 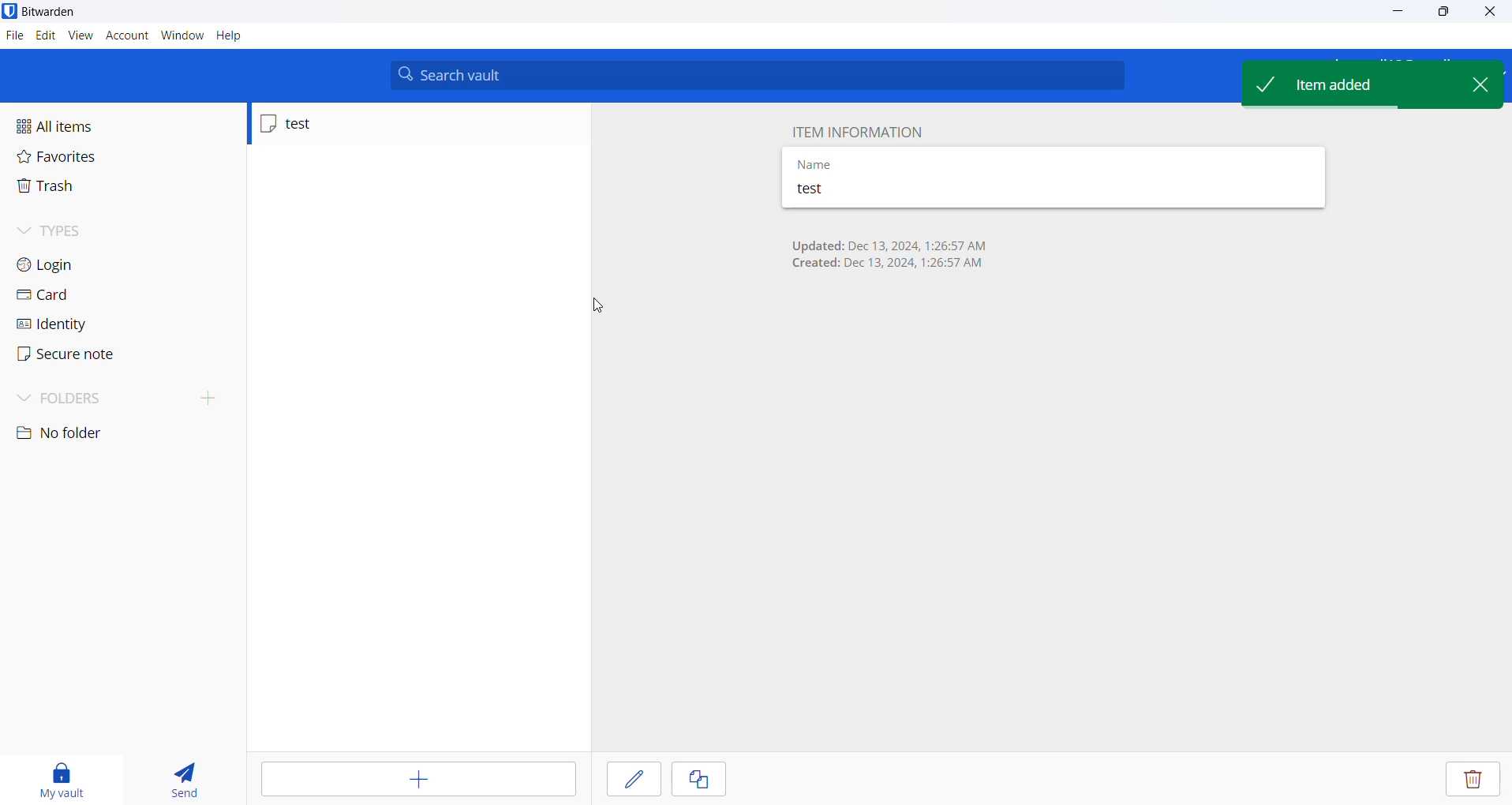 I want to click on no folder, so click(x=93, y=434).